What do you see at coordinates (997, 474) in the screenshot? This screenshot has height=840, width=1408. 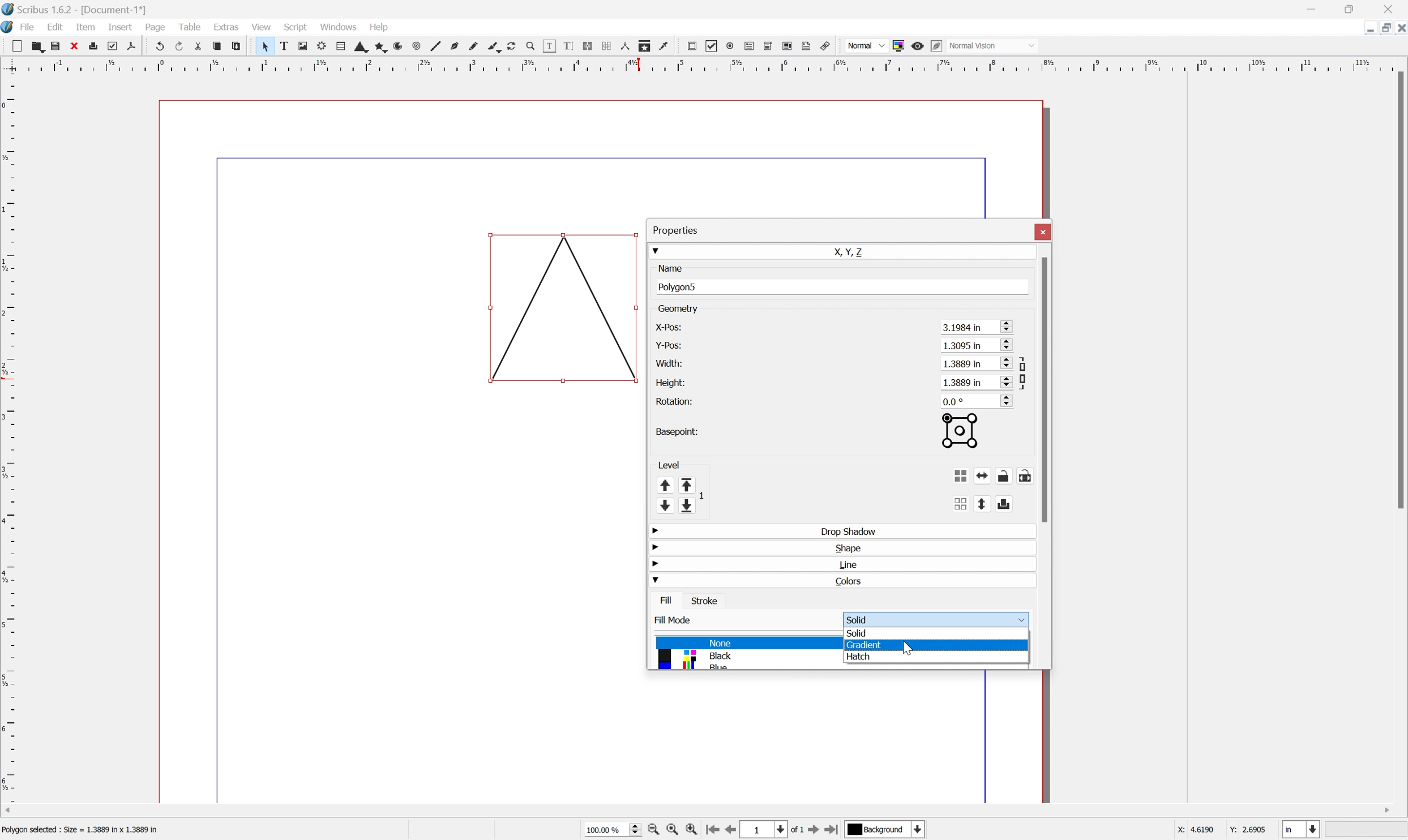 I see `Flip horizontally` at bounding box center [997, 474].